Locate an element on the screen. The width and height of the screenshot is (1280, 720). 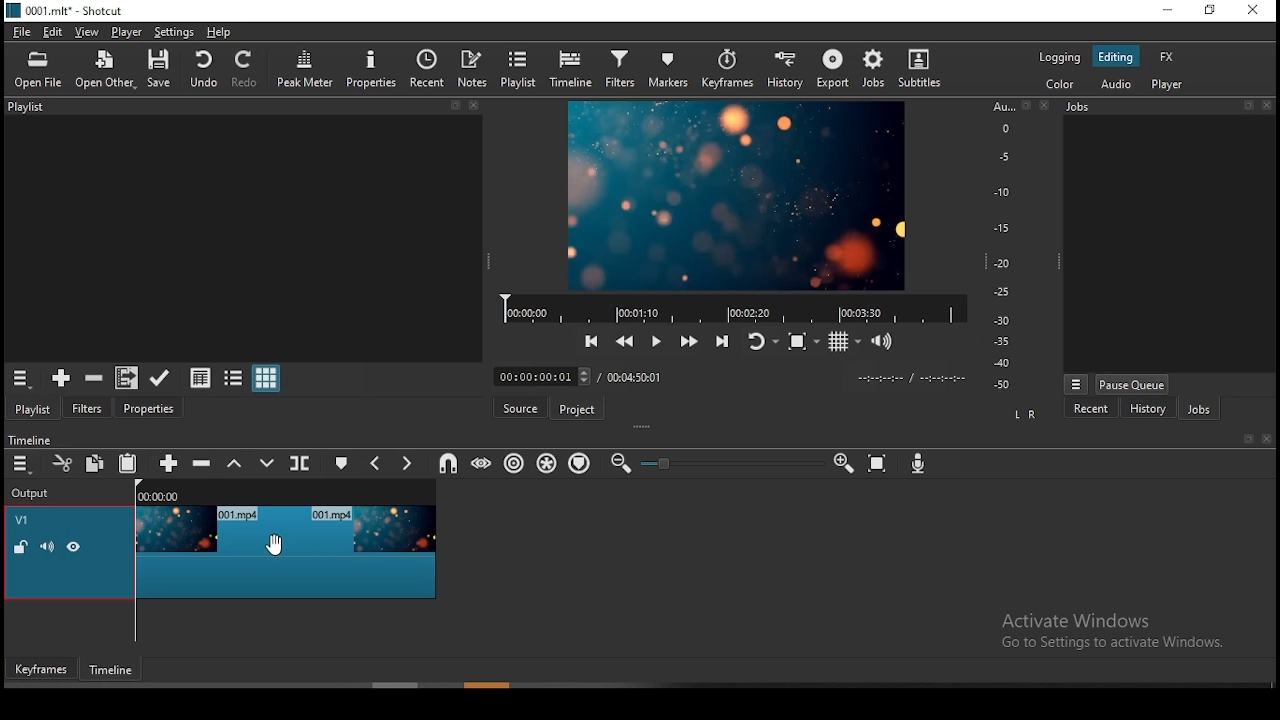
view is located at coordinates (86, 31).